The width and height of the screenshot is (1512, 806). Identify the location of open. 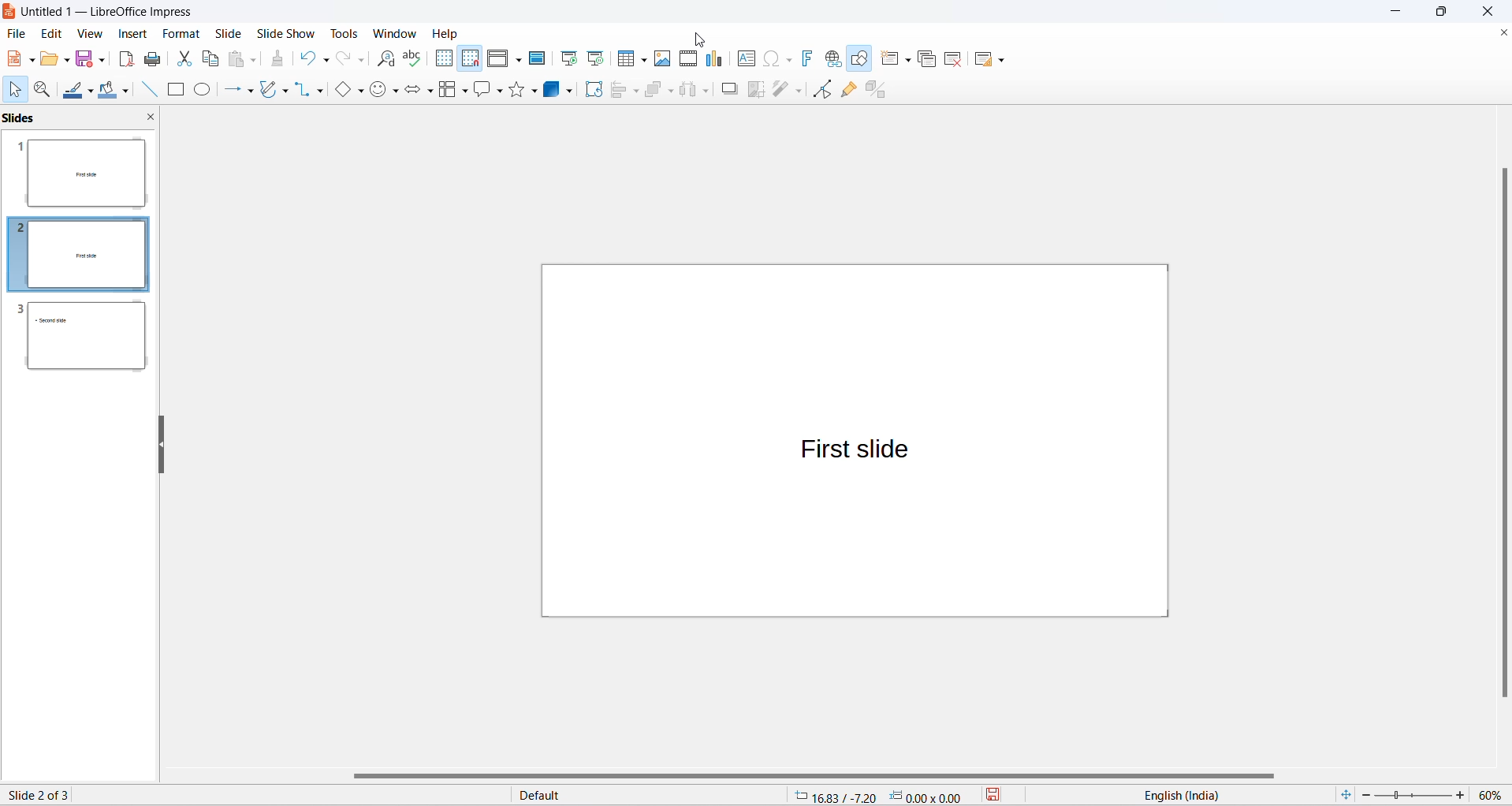
(49, 58).